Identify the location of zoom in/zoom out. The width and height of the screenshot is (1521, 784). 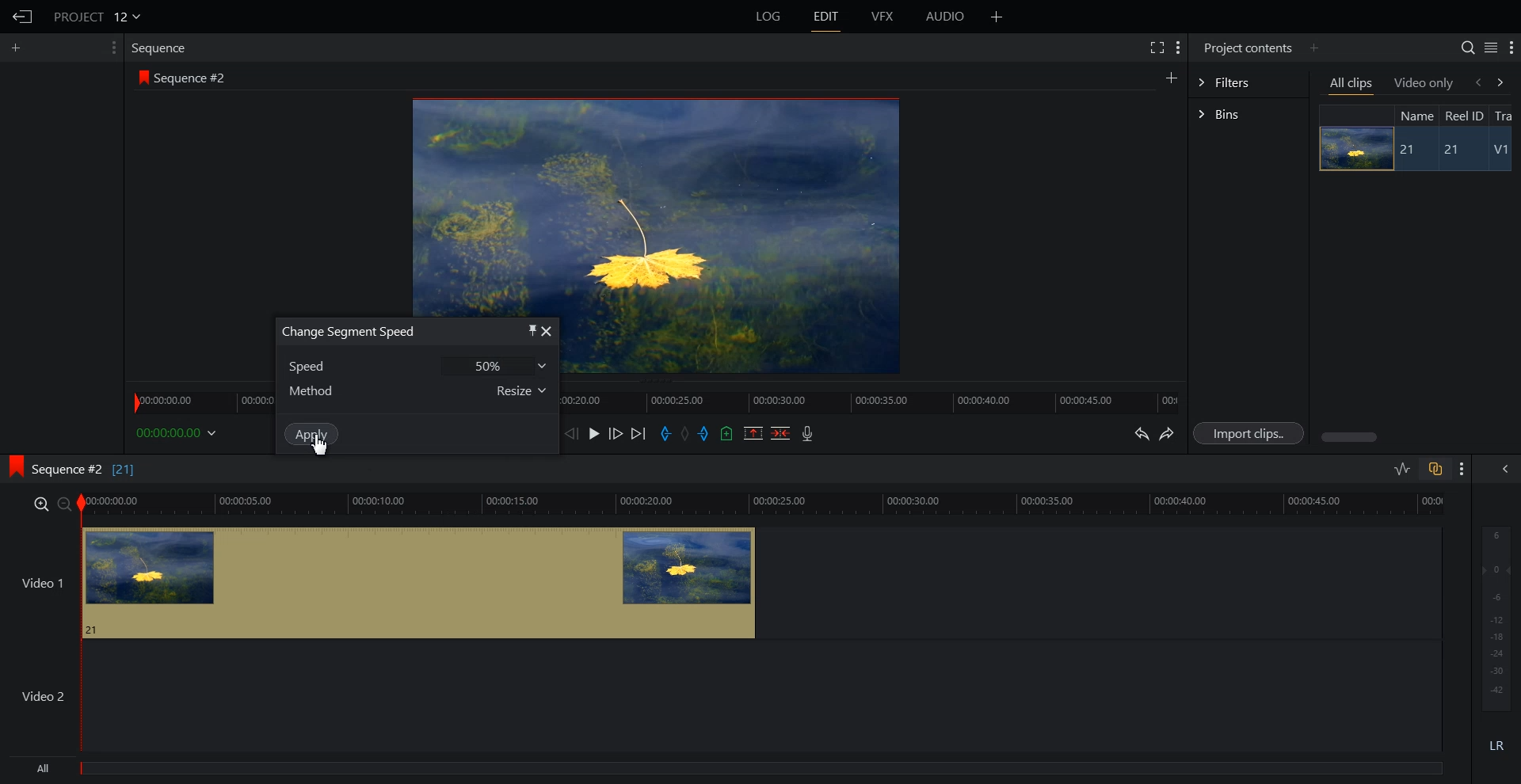
(49, 503).